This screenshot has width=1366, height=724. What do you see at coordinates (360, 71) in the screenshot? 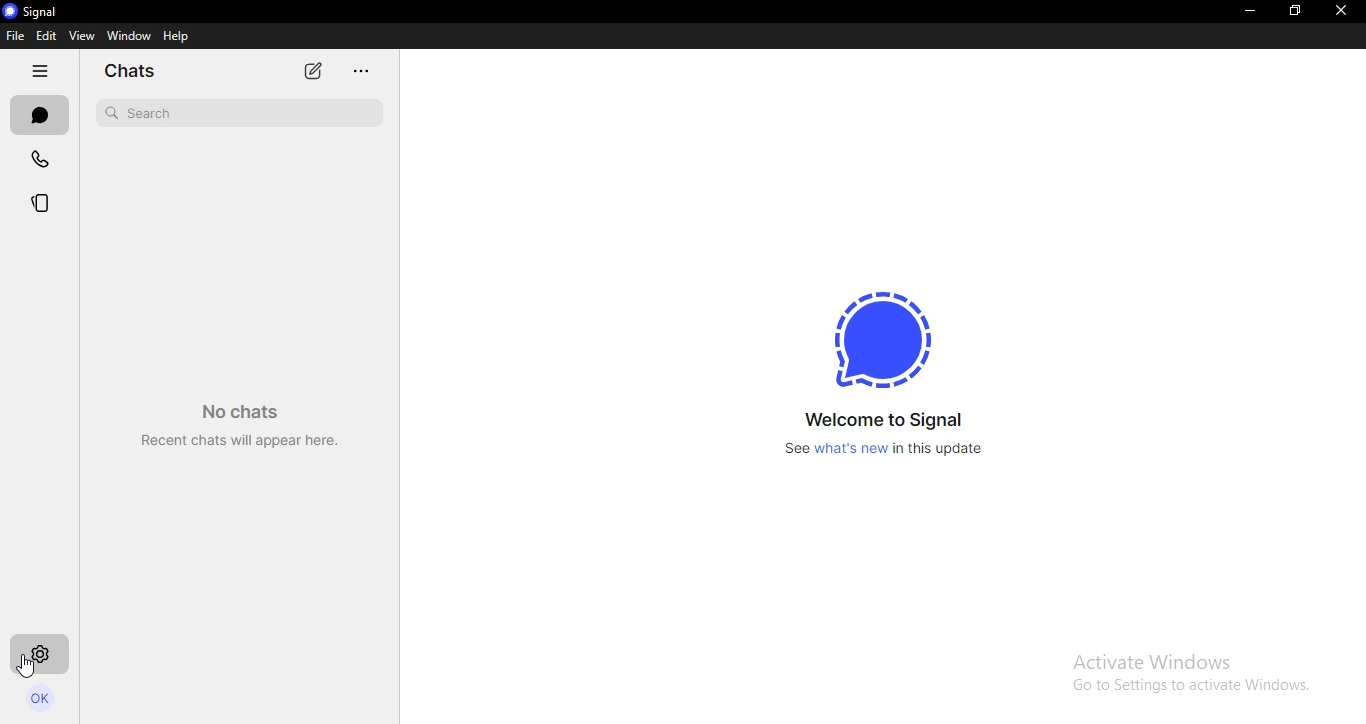
I see `...` at bounding box center [360, 71].